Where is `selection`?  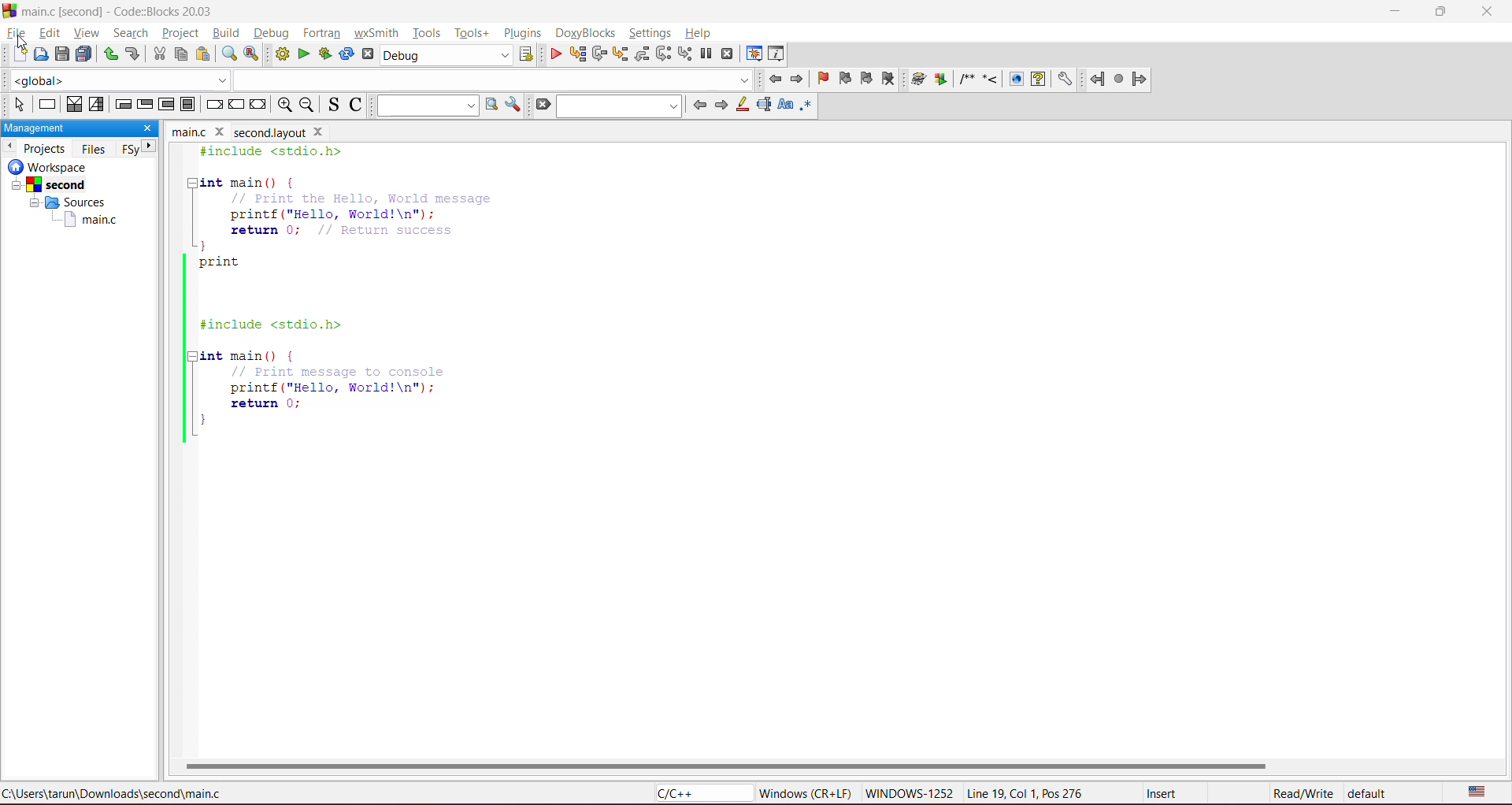
selection is located at coordinates (97, 106).